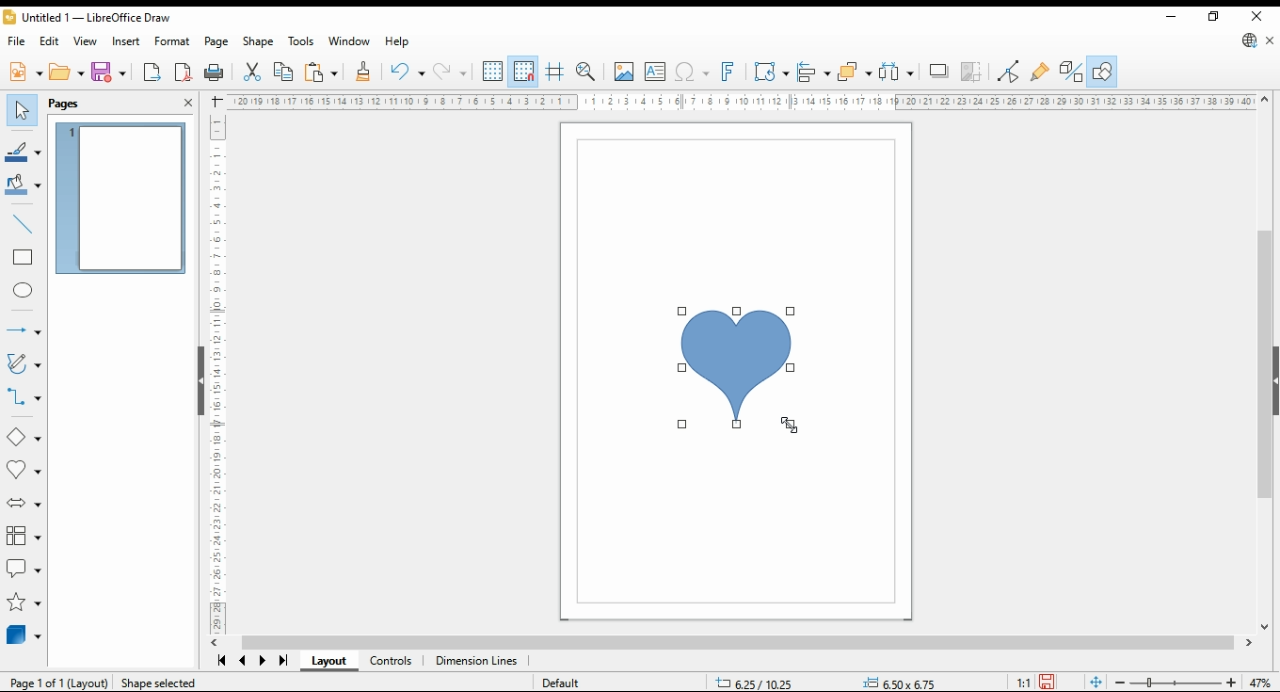  I want to click on status, so click(822, 682).